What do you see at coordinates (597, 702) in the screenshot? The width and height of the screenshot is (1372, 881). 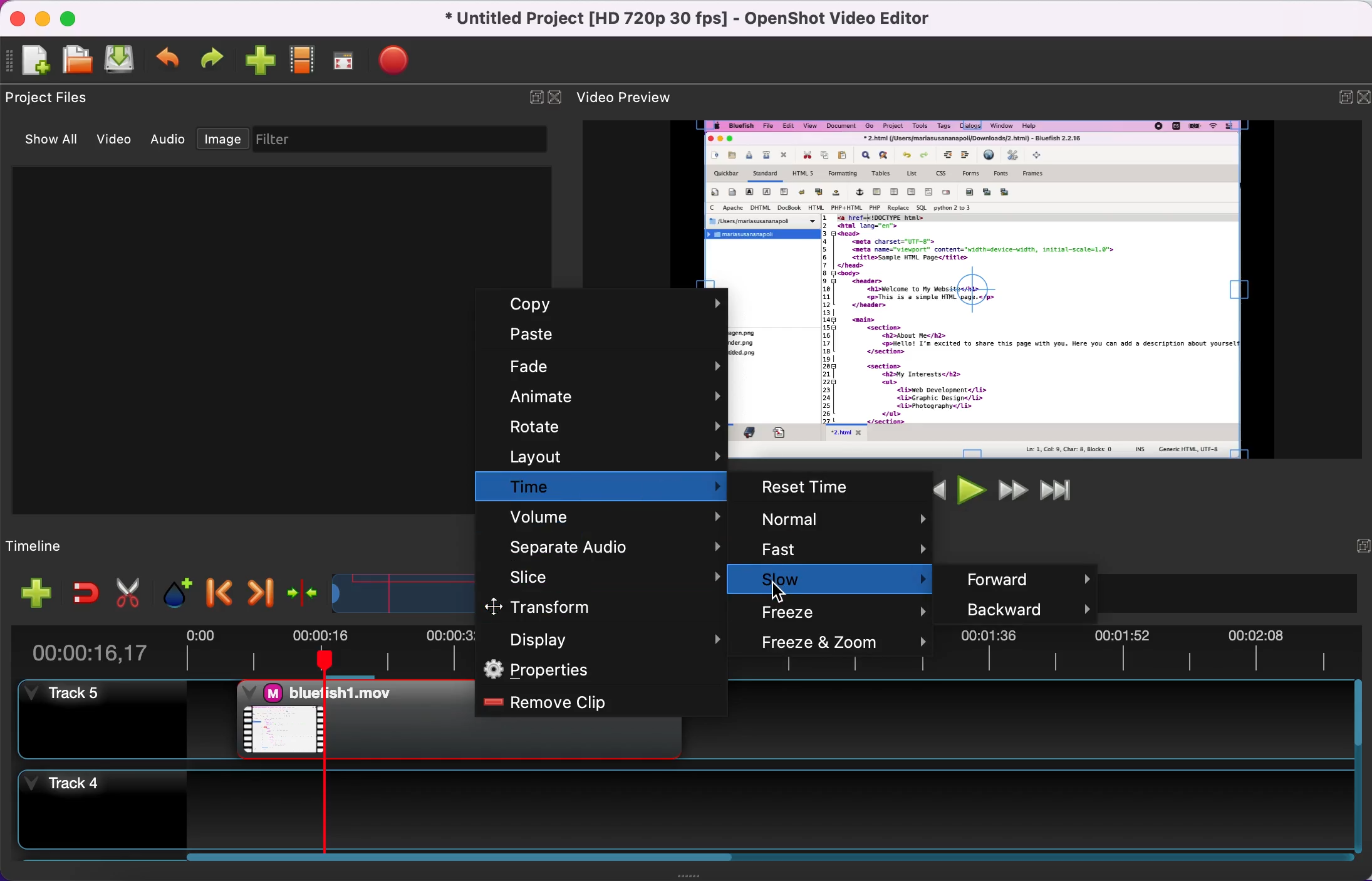 I see `remove clip` at bounding box center [597, 702].